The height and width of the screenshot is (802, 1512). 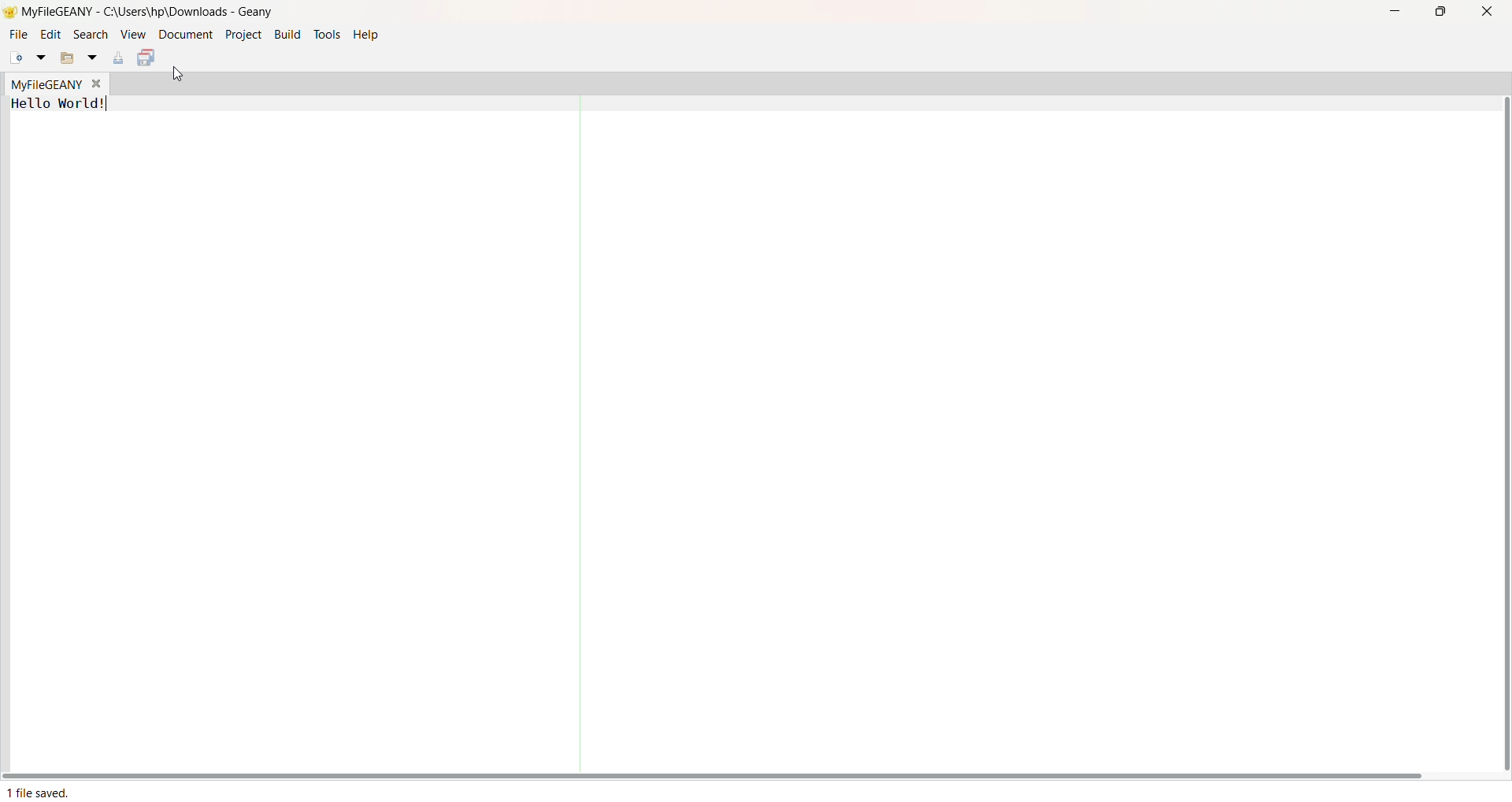 I want to click on cursor, so click(x=177, y=72).